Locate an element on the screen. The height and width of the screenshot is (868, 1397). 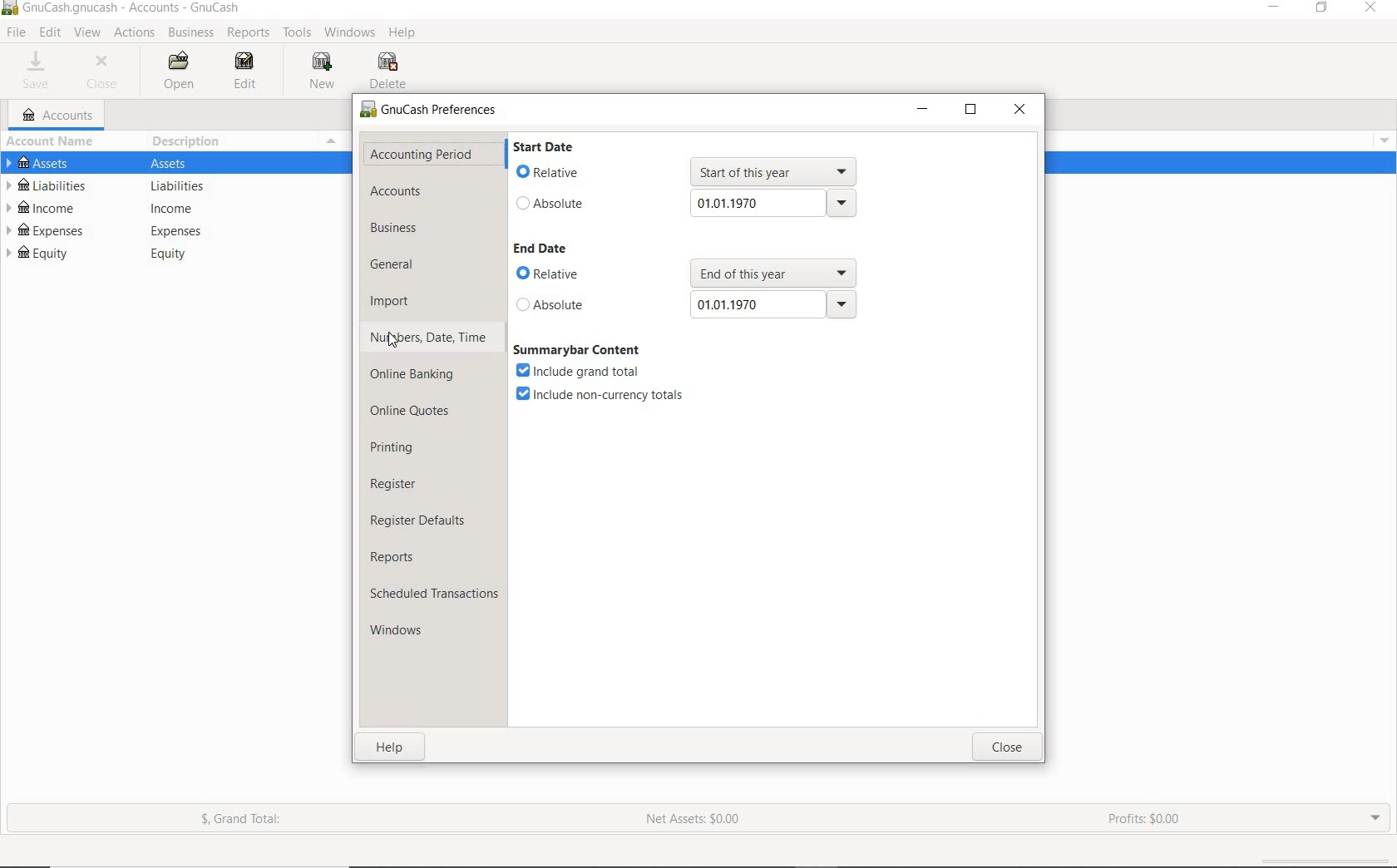
register is located at coordinates (405, 486).